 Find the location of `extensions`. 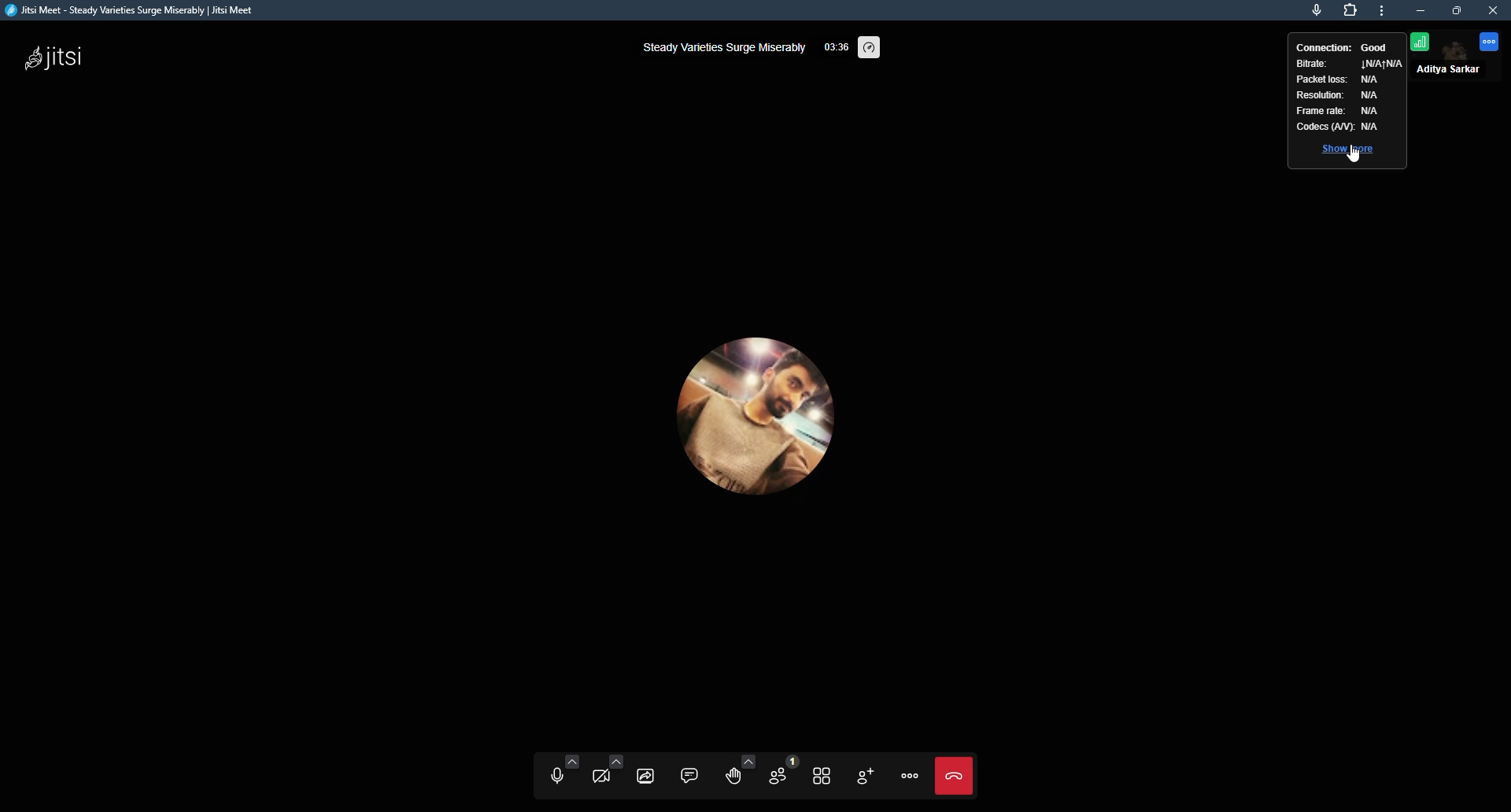

extensions is located at coordinates (1351, 10).